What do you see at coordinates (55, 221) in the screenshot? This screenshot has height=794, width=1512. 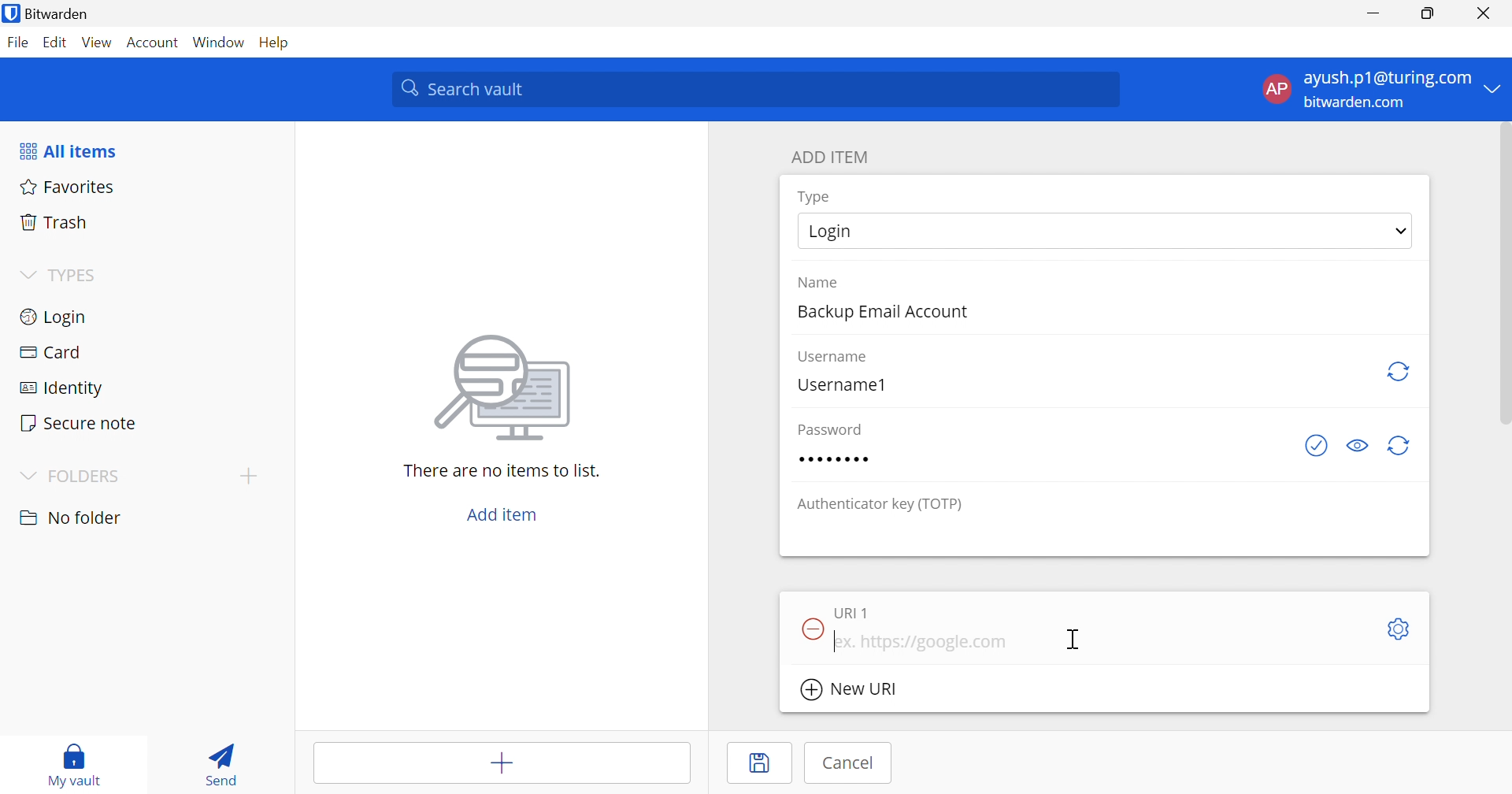 I see `Trash` at bounding box center [55, 221].